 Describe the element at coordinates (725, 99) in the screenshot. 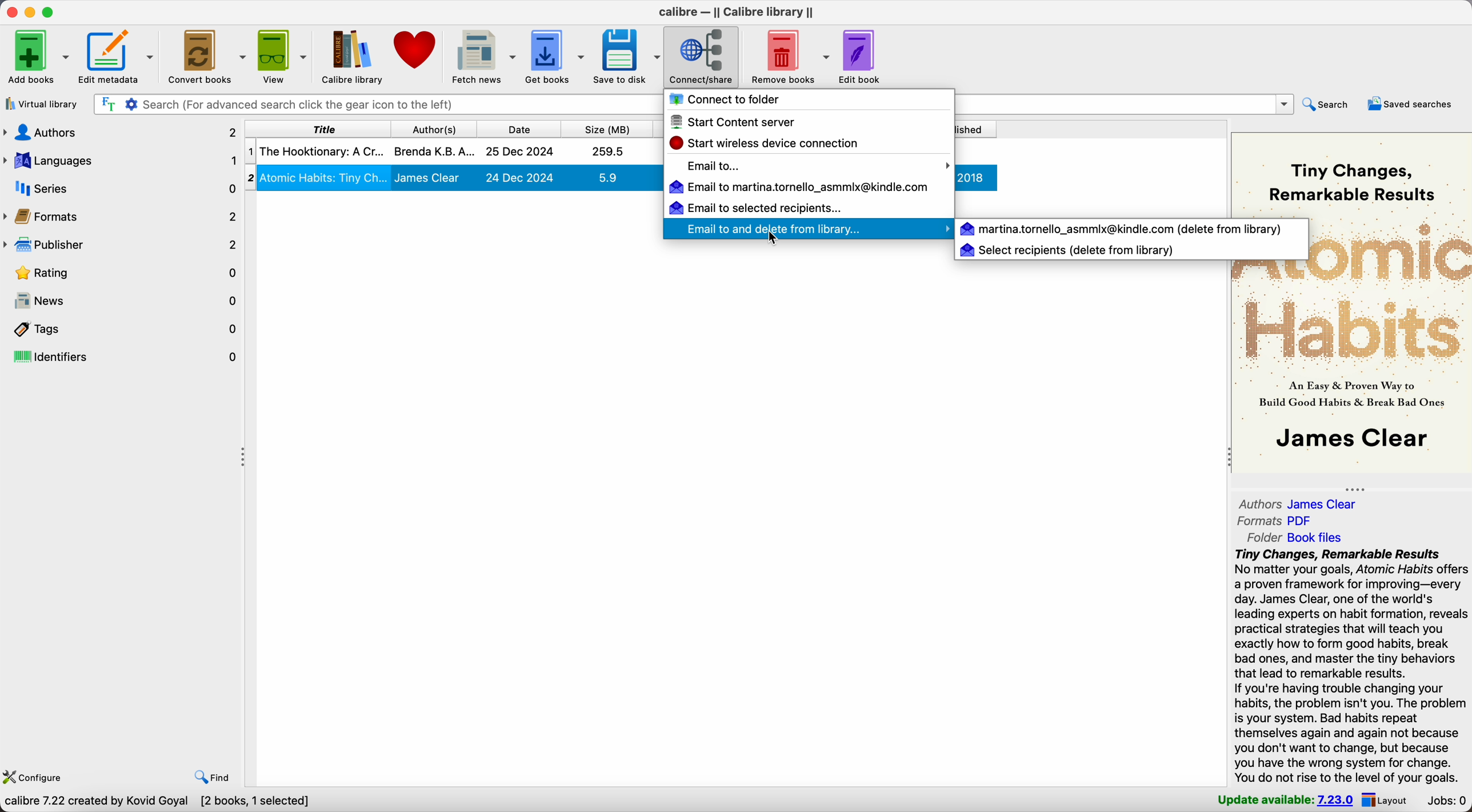

I see `connect to folder` at that location.